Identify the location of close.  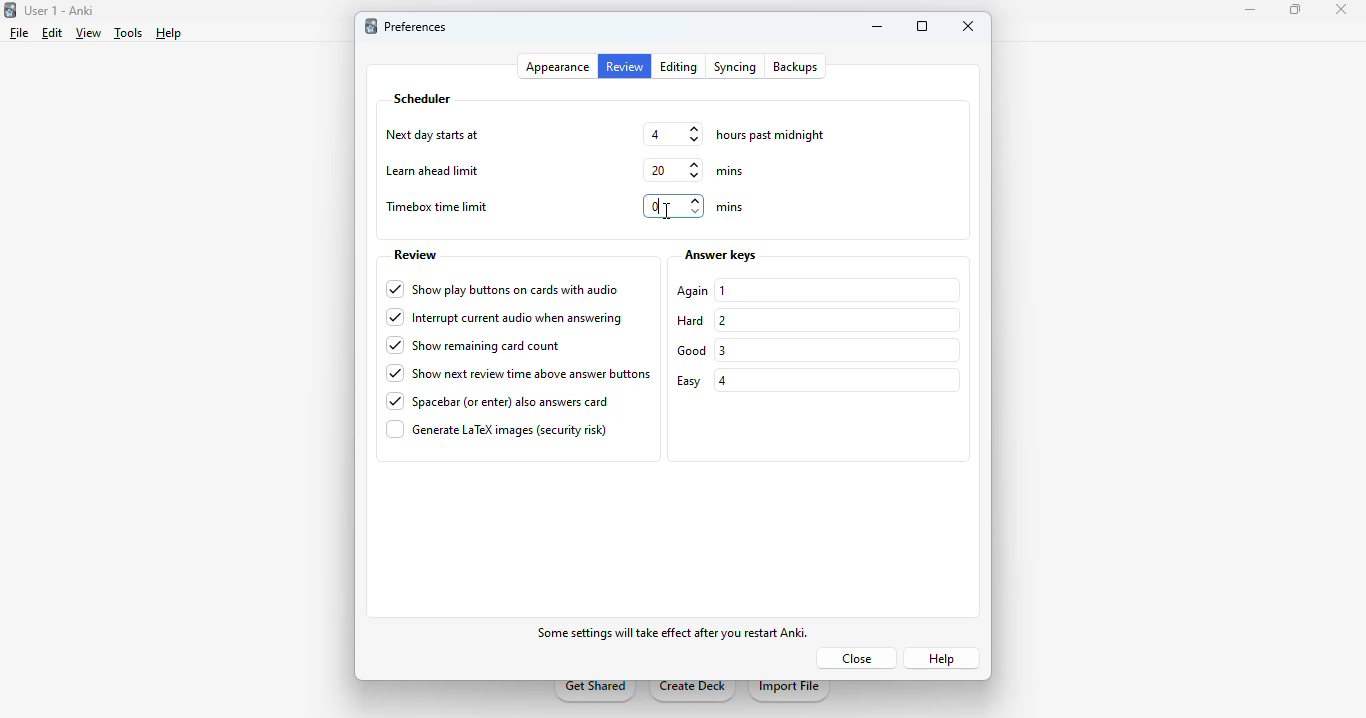
(968, 26).